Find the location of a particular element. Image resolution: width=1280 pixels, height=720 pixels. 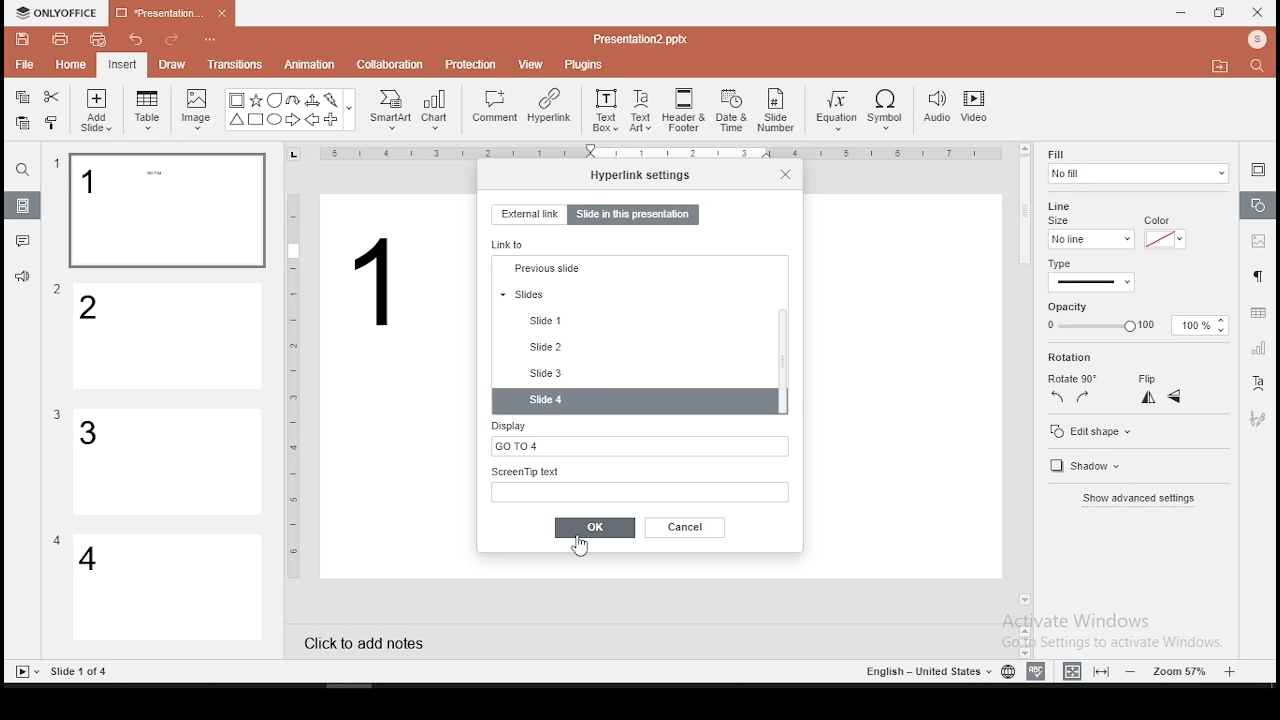

date and time is located at coordinates (732, 110).